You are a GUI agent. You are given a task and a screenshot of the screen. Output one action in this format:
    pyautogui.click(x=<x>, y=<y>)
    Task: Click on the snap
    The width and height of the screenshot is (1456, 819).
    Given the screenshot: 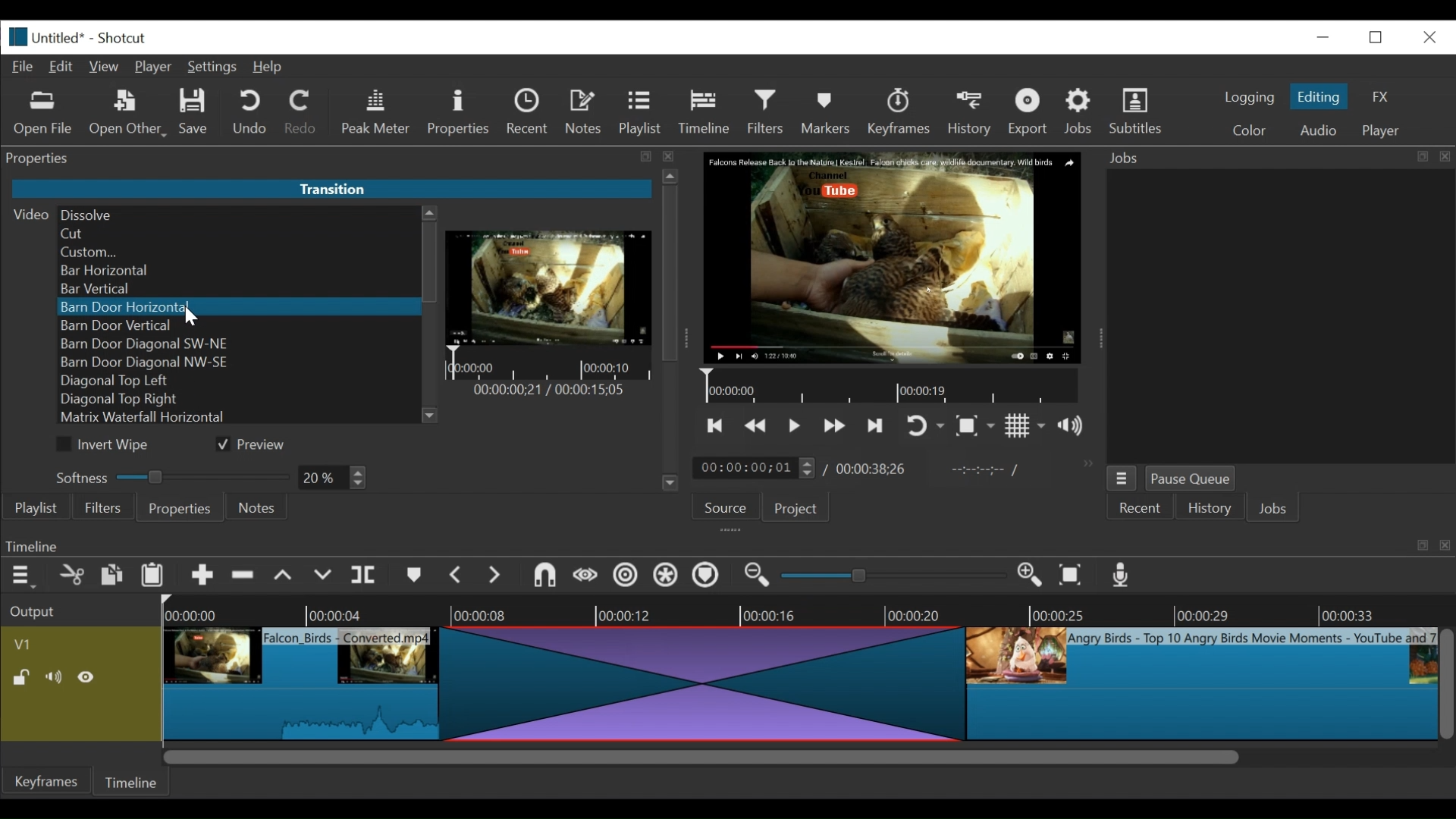 What is the action you would take?
    pyautogui.click(x=547, y=577)
    